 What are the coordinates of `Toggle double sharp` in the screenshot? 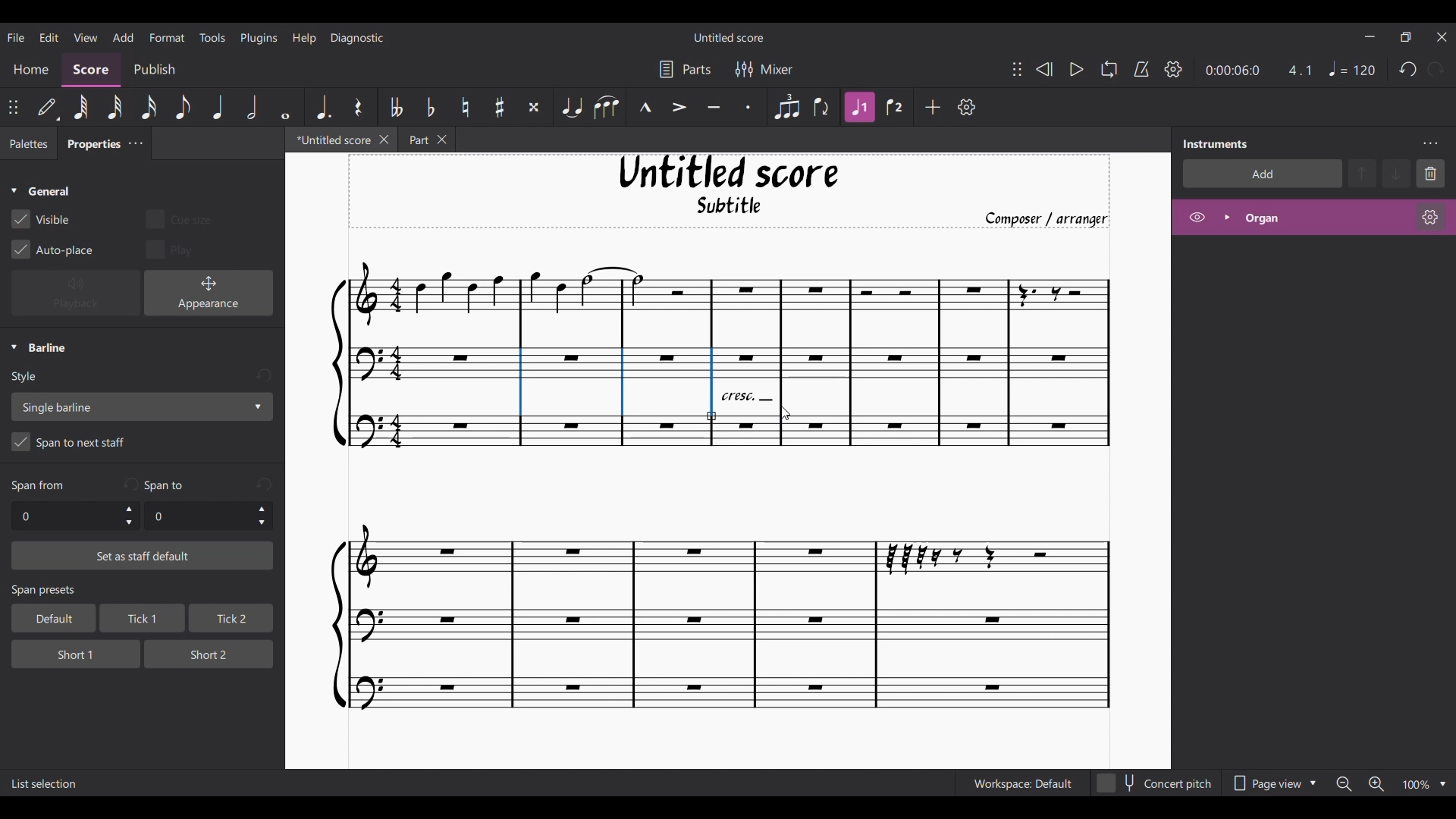 It's located at (534, 108).